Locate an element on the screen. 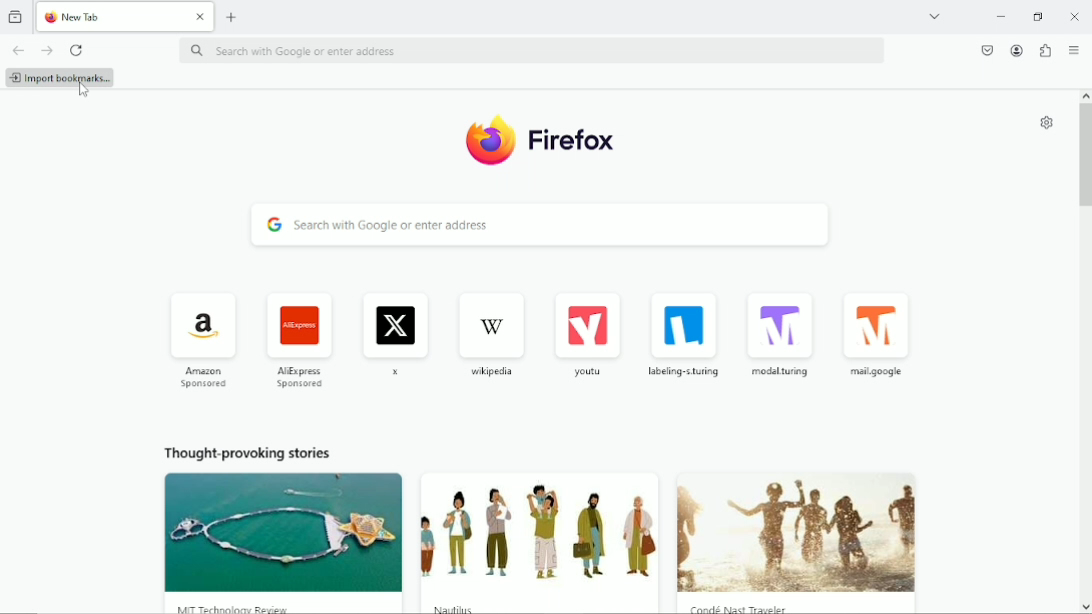 The height and width of the screenshot is (614, 1092). View recent browsing is located at coordinates (16, 16).